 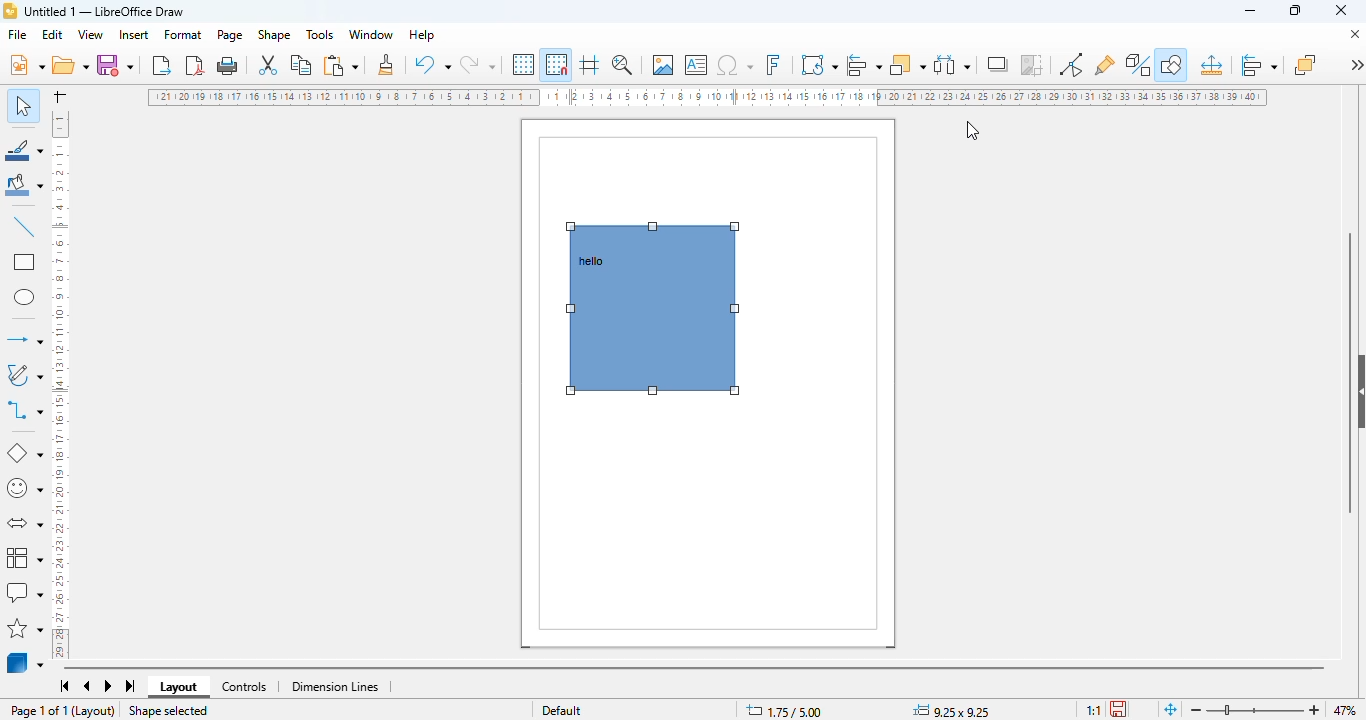 What do you see at coordinates (1349, 372) in the screenshot?
I see `vertical scroll bar` at bounding box center [1349, 372].